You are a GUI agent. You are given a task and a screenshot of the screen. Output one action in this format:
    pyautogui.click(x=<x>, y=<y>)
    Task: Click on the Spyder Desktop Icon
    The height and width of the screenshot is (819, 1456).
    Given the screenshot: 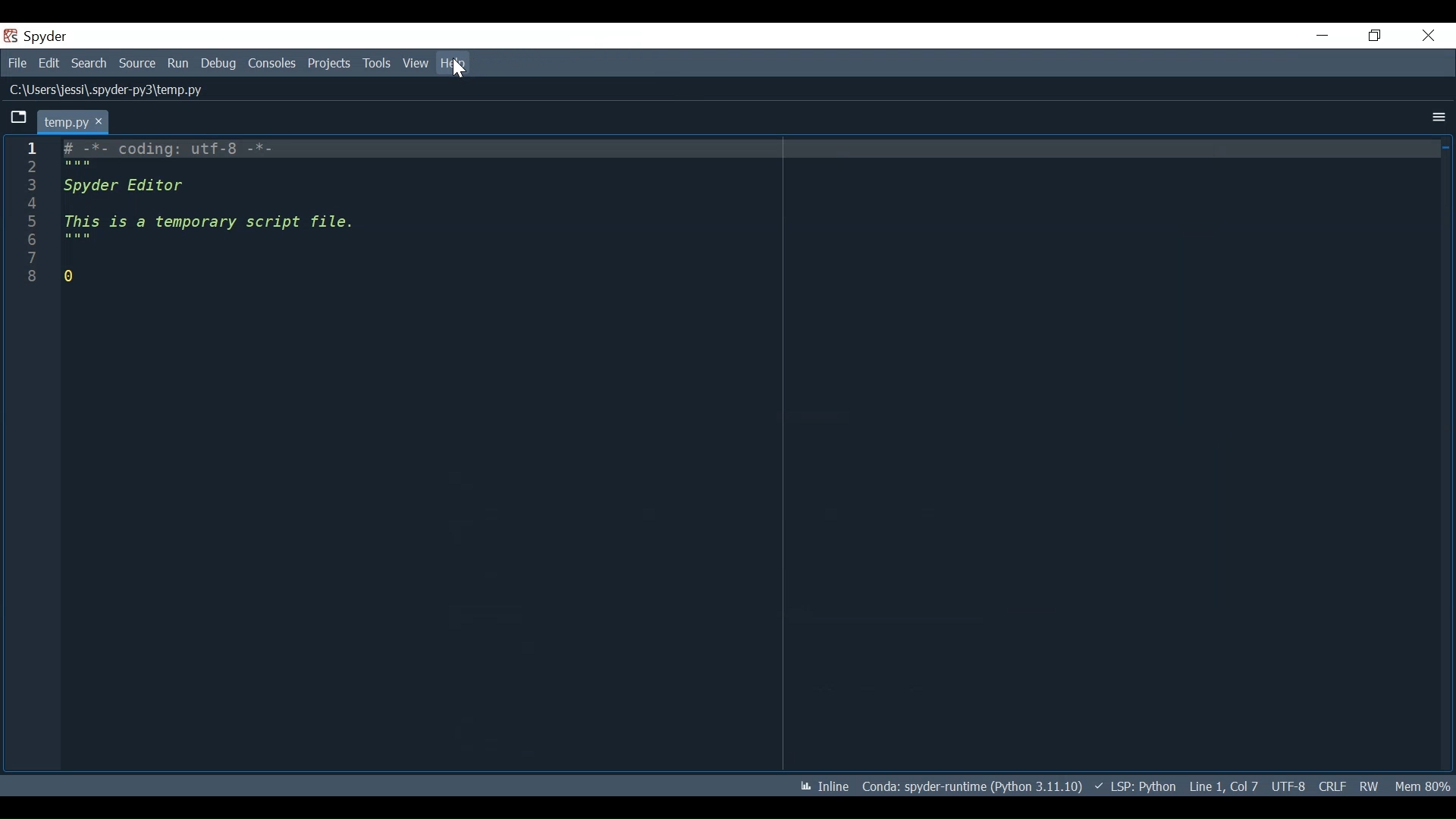 What is the action you would take?
    pyautogui.click(x=39, y=36)
    